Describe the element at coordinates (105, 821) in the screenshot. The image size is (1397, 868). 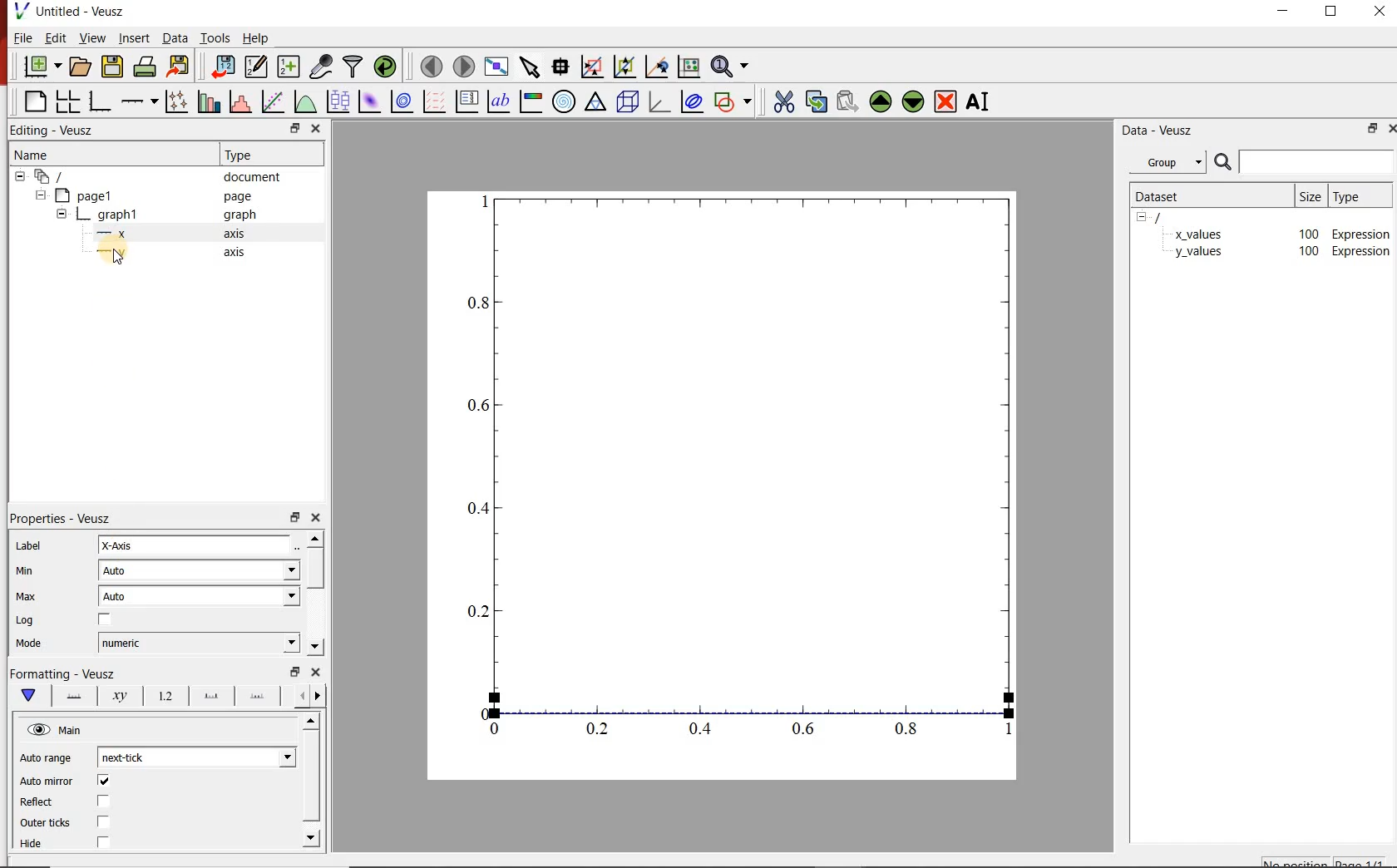
I see `checkbox` at that location.